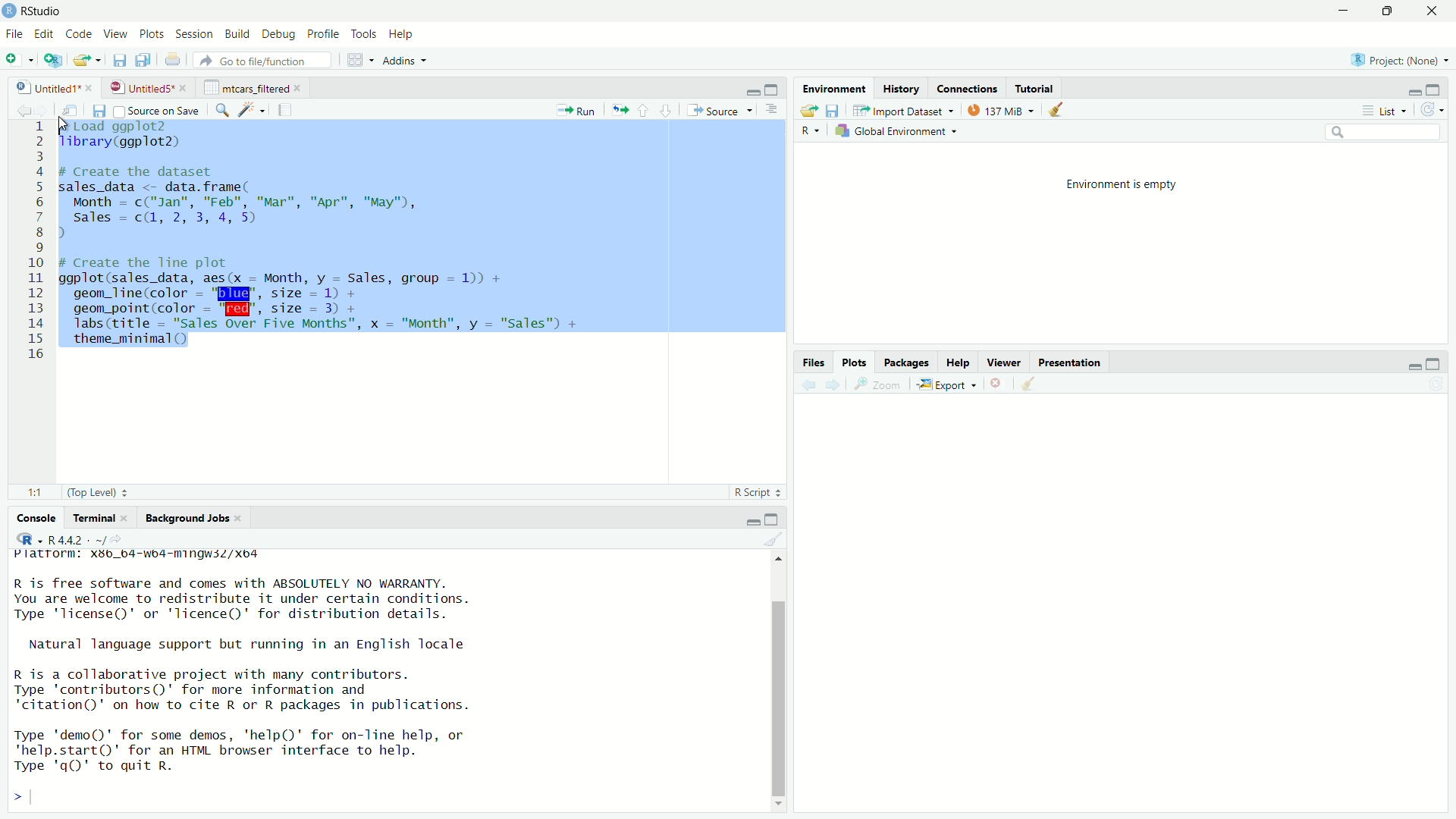 This screenshot has width=1456, height=819. What do you see at coordinates (1413, 366) in the screenshot?
I see `minimize` at bounding box center [1413, 366].